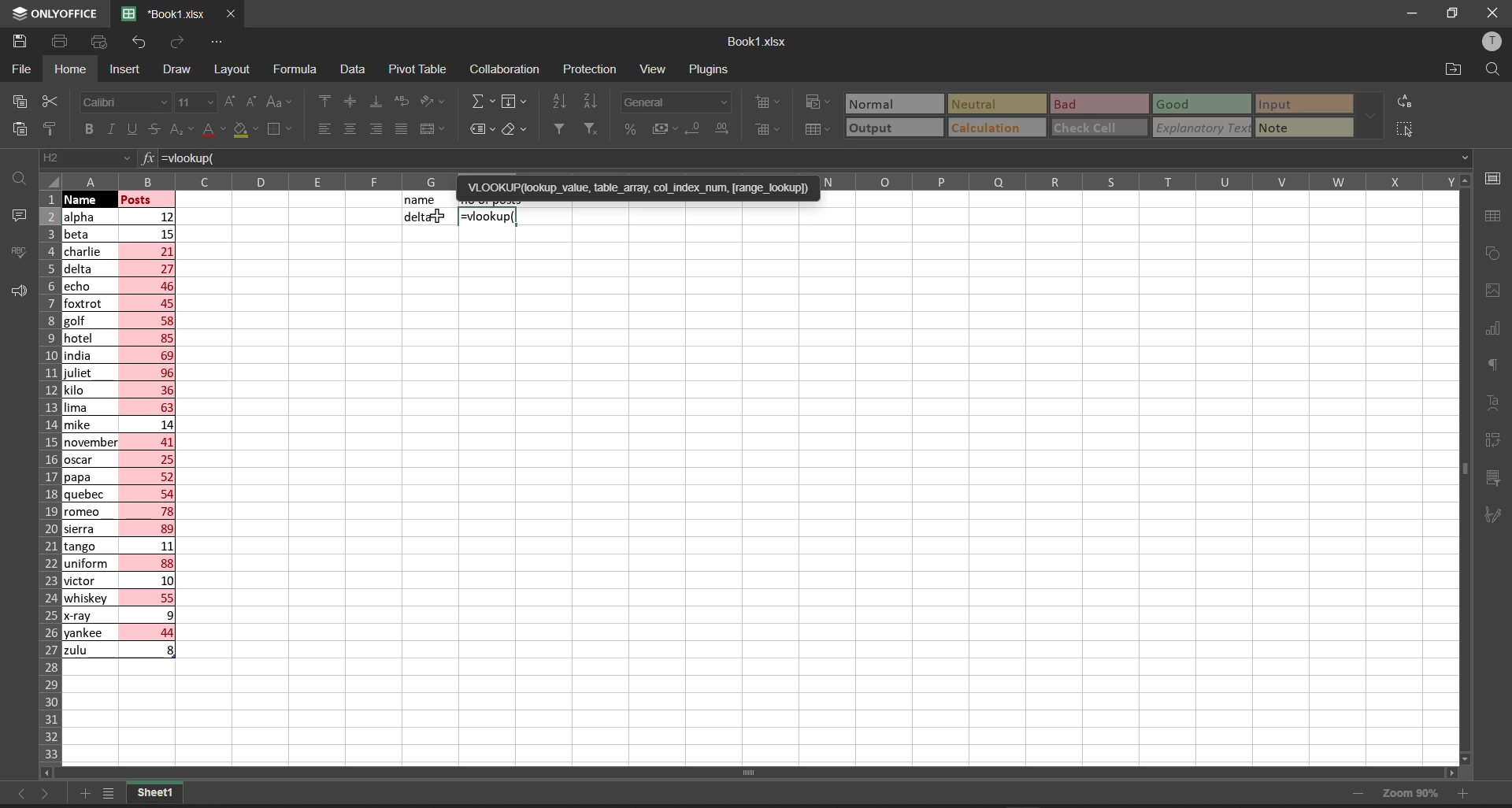 This screenshot has width=1512, height=808. Describe the element at coordinates (1200, 128) in the screenshot. I see `explanatory Text` at that location.